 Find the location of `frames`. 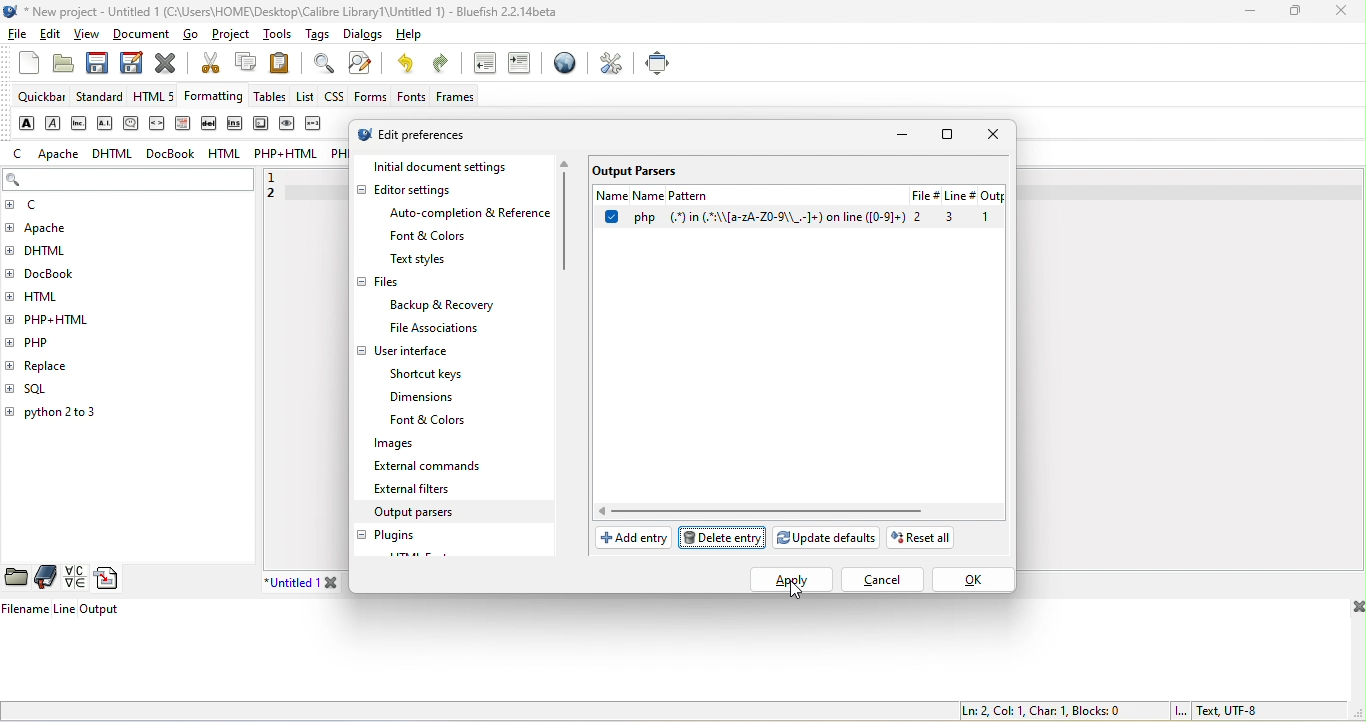

frames is located at coordinates (456, 98).